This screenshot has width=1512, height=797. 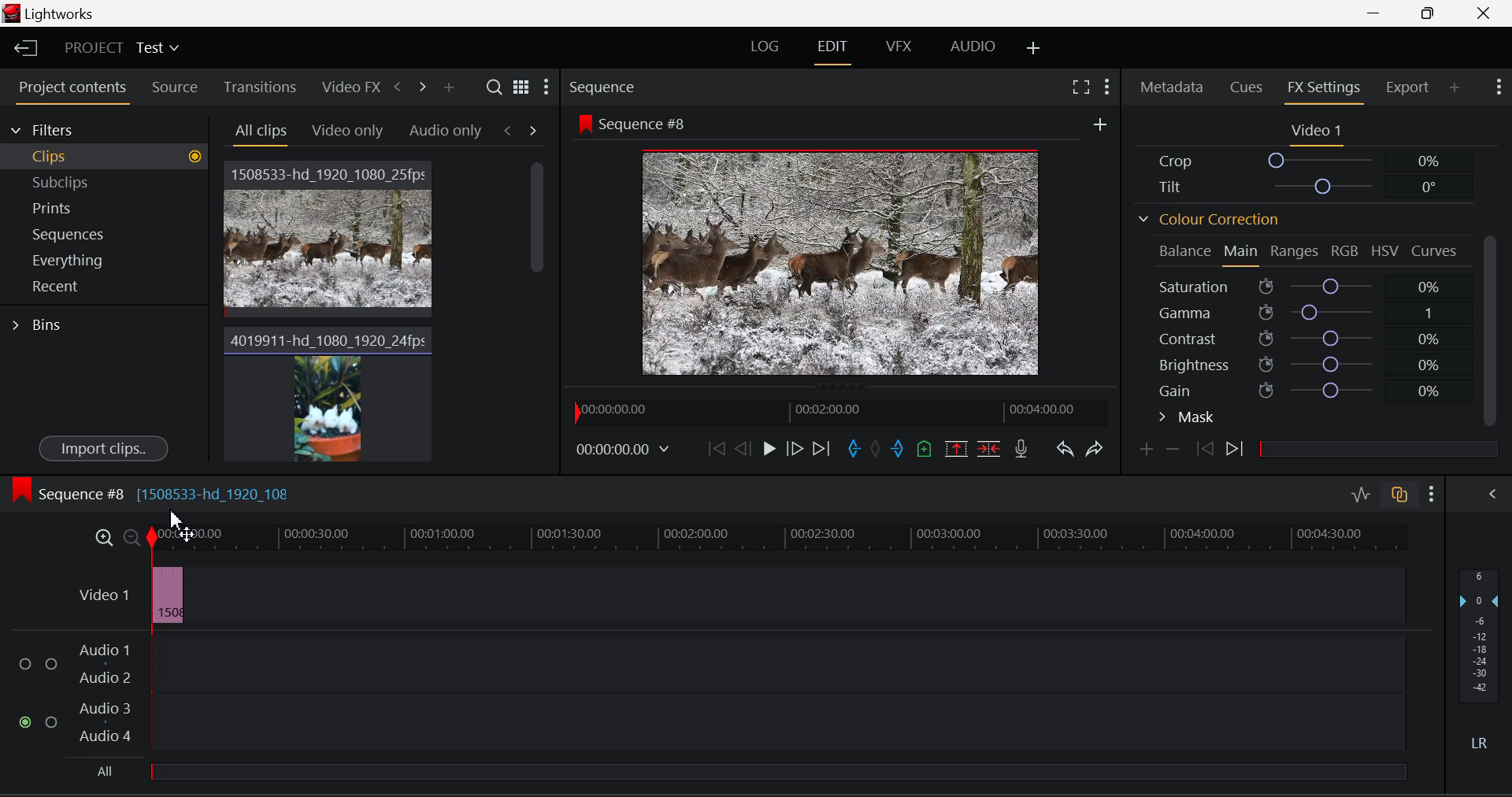 What do you see at coordinates (1298, 286) in the screenshot?
I see `Saturation` at bounding box center [1298, 286].